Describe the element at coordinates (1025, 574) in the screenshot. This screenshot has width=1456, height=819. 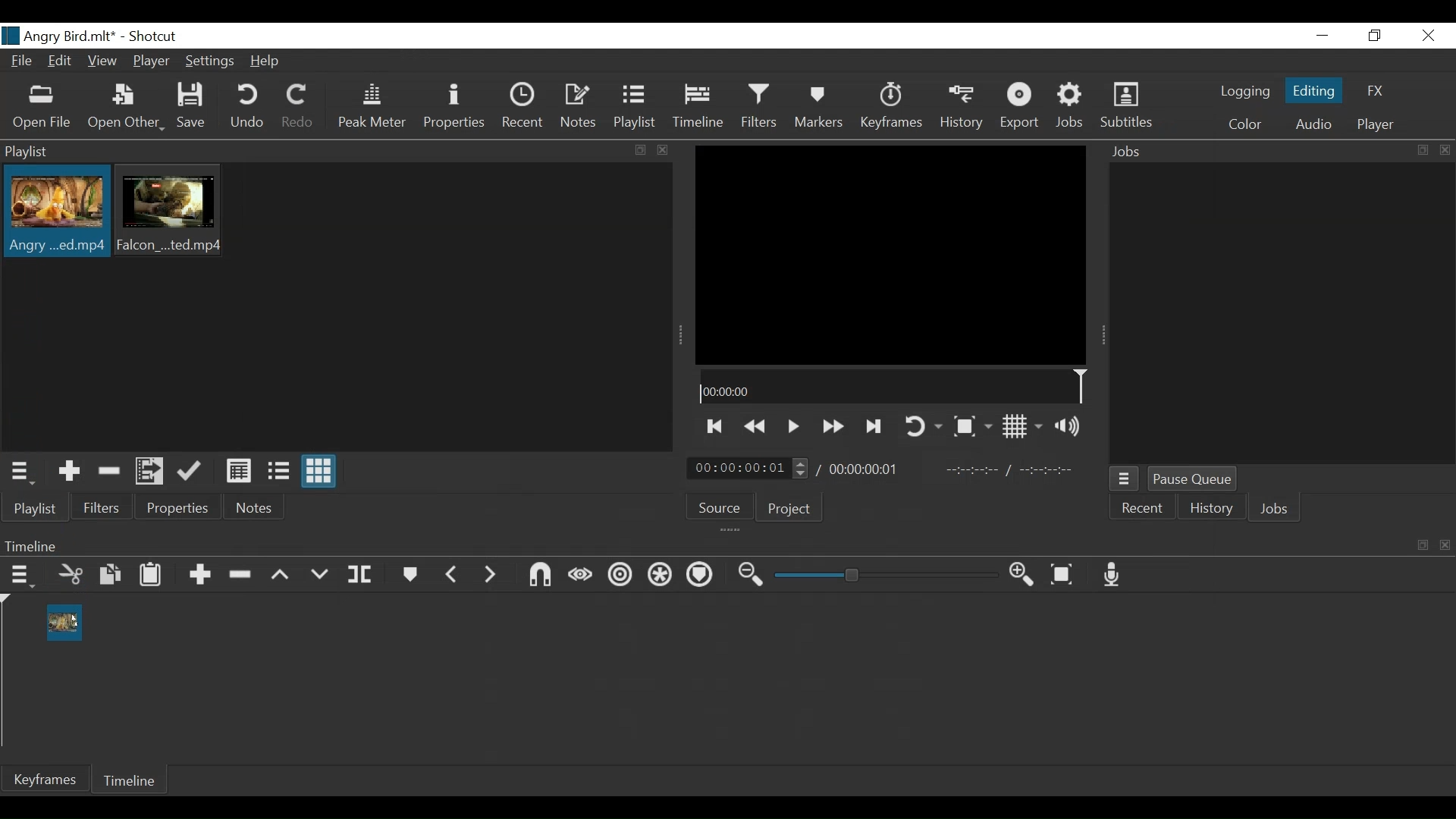
I see `Zoom timeline in` at that location.